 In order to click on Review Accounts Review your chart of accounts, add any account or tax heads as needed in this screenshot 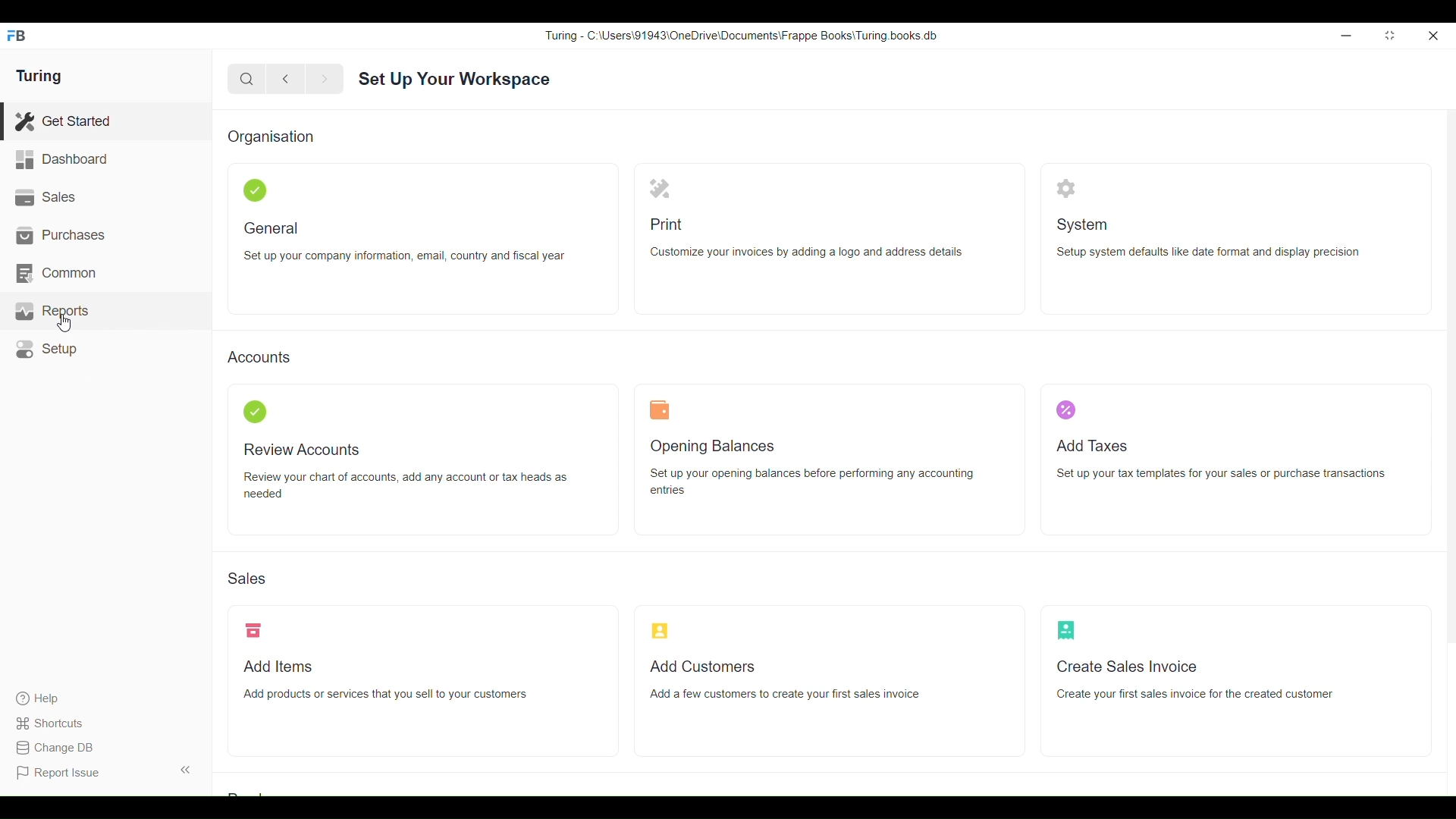, I will do `click(405, 472)`.